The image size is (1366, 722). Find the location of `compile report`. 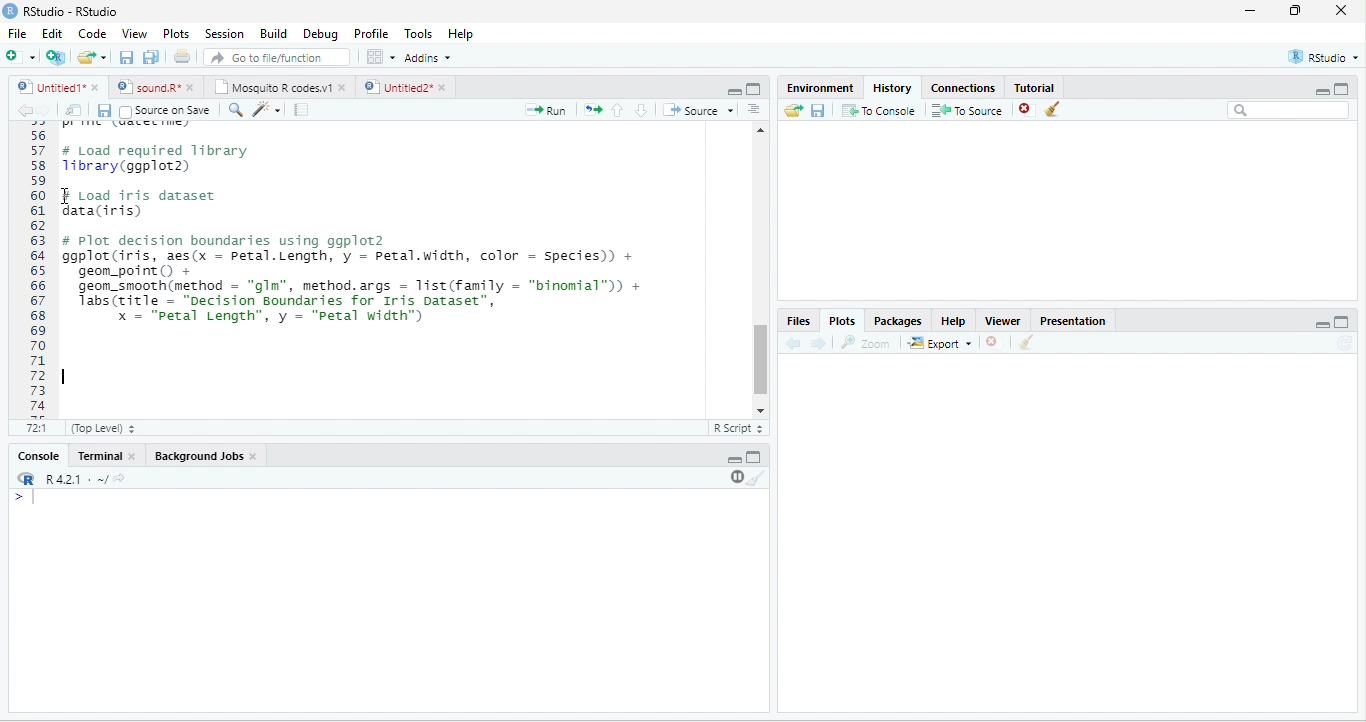

compile report is located at coordinates (301, 109).